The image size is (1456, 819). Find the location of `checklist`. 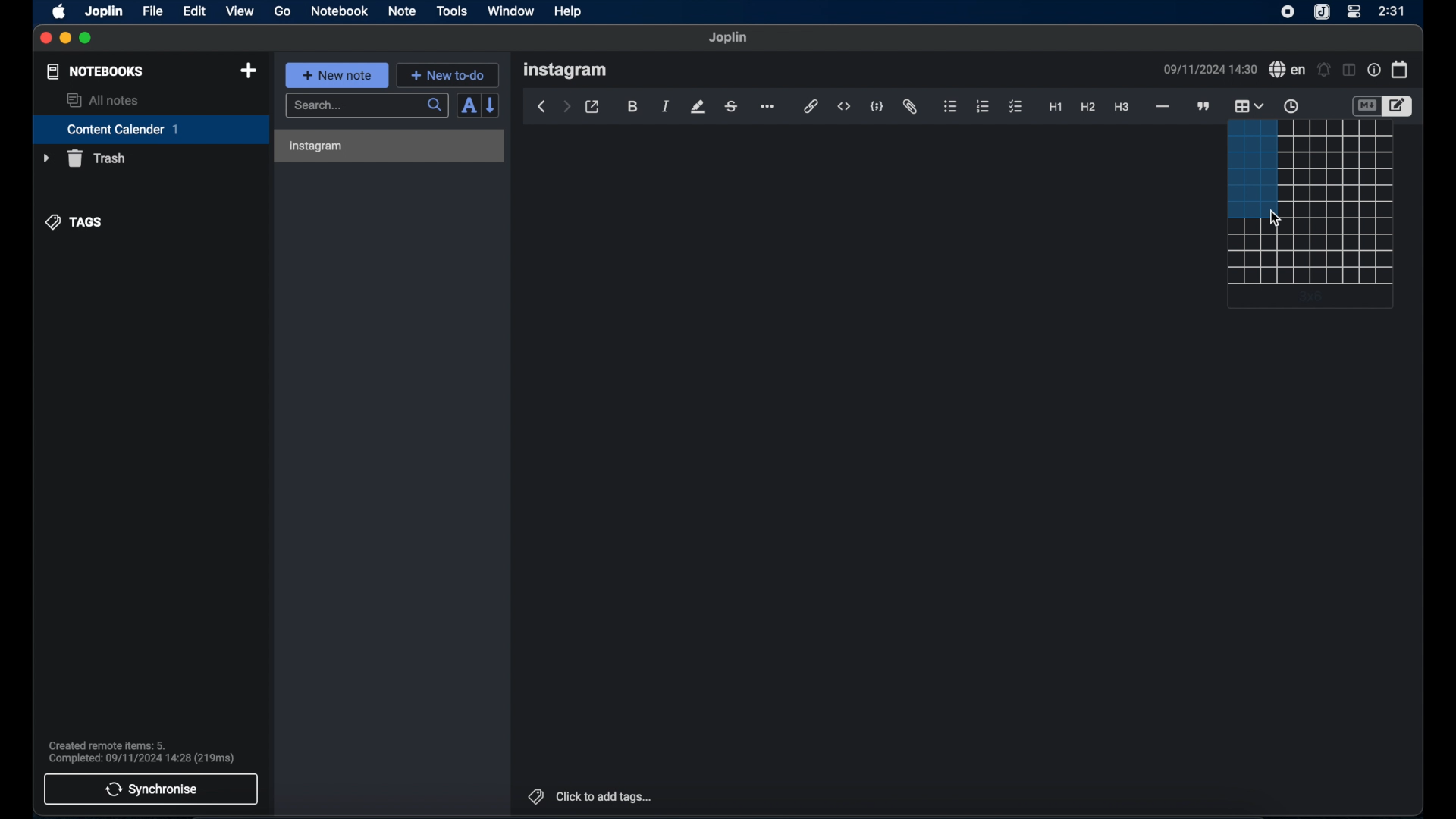

checklist is located at coordinates (1017, 108).